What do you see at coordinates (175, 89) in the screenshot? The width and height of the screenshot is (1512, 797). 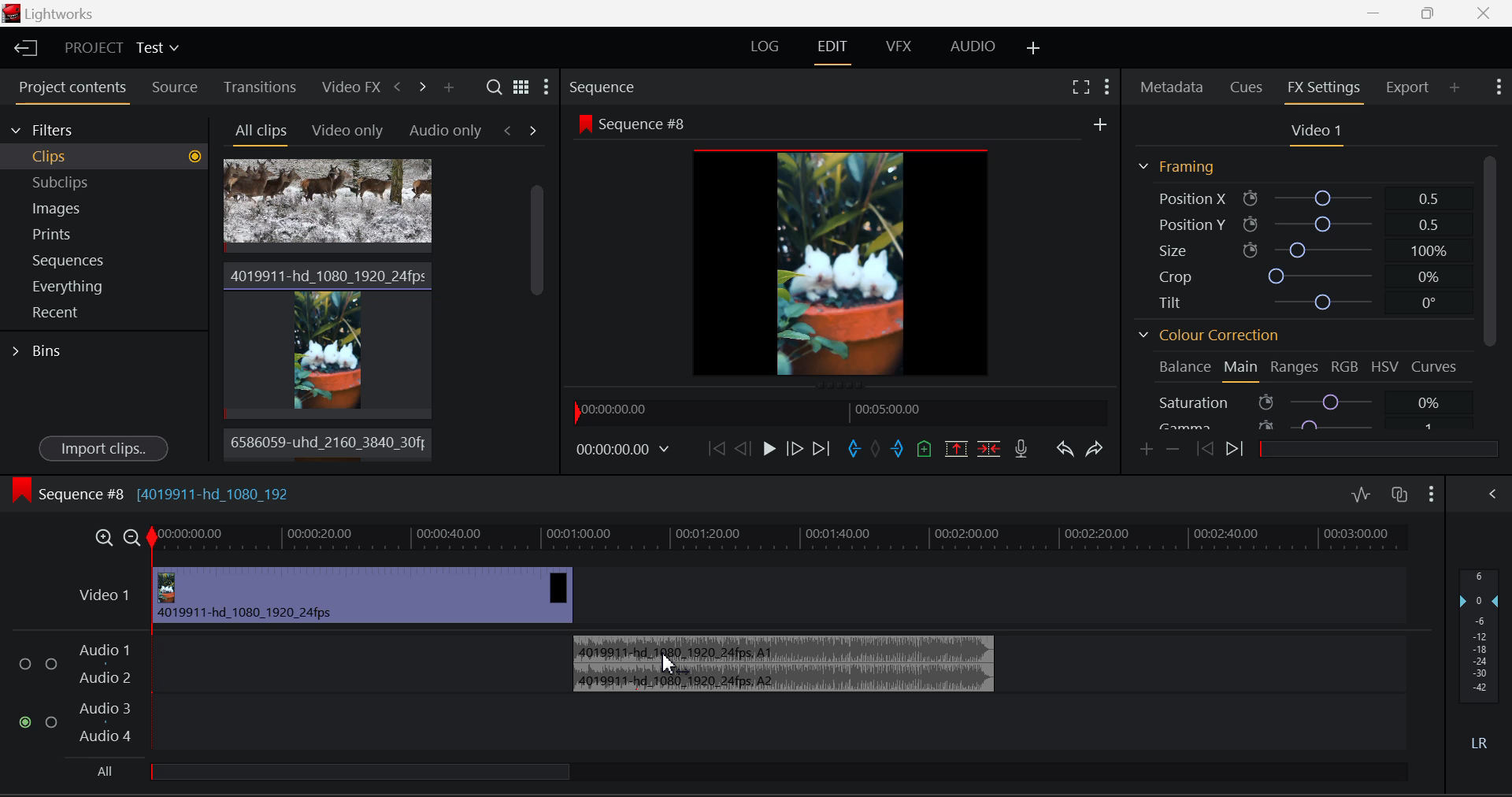 I see `Source` at bounding box center [175, 89].